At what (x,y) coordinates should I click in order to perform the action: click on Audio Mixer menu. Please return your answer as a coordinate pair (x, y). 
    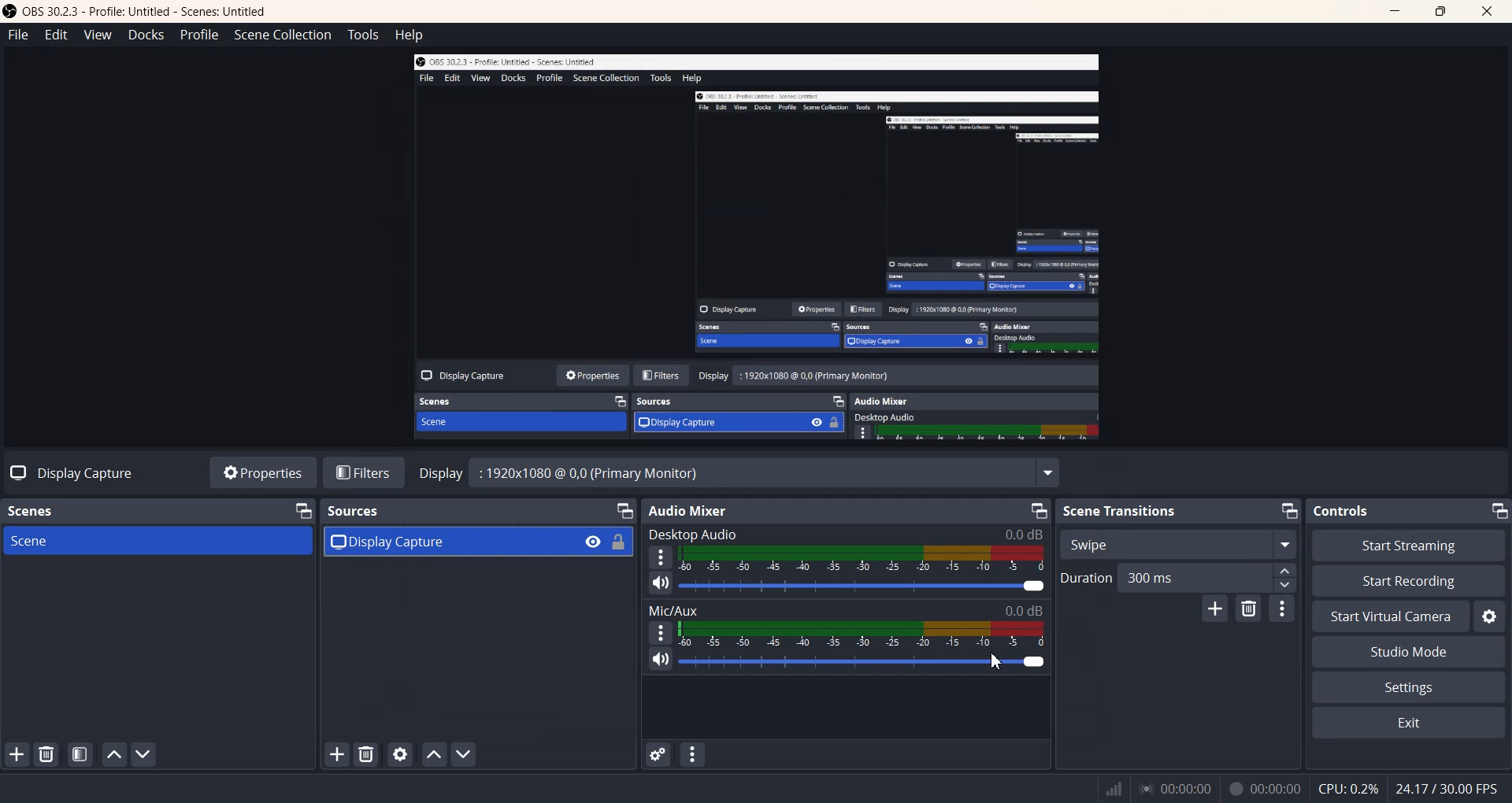
    Looking at the image, I should click on (693, 754).